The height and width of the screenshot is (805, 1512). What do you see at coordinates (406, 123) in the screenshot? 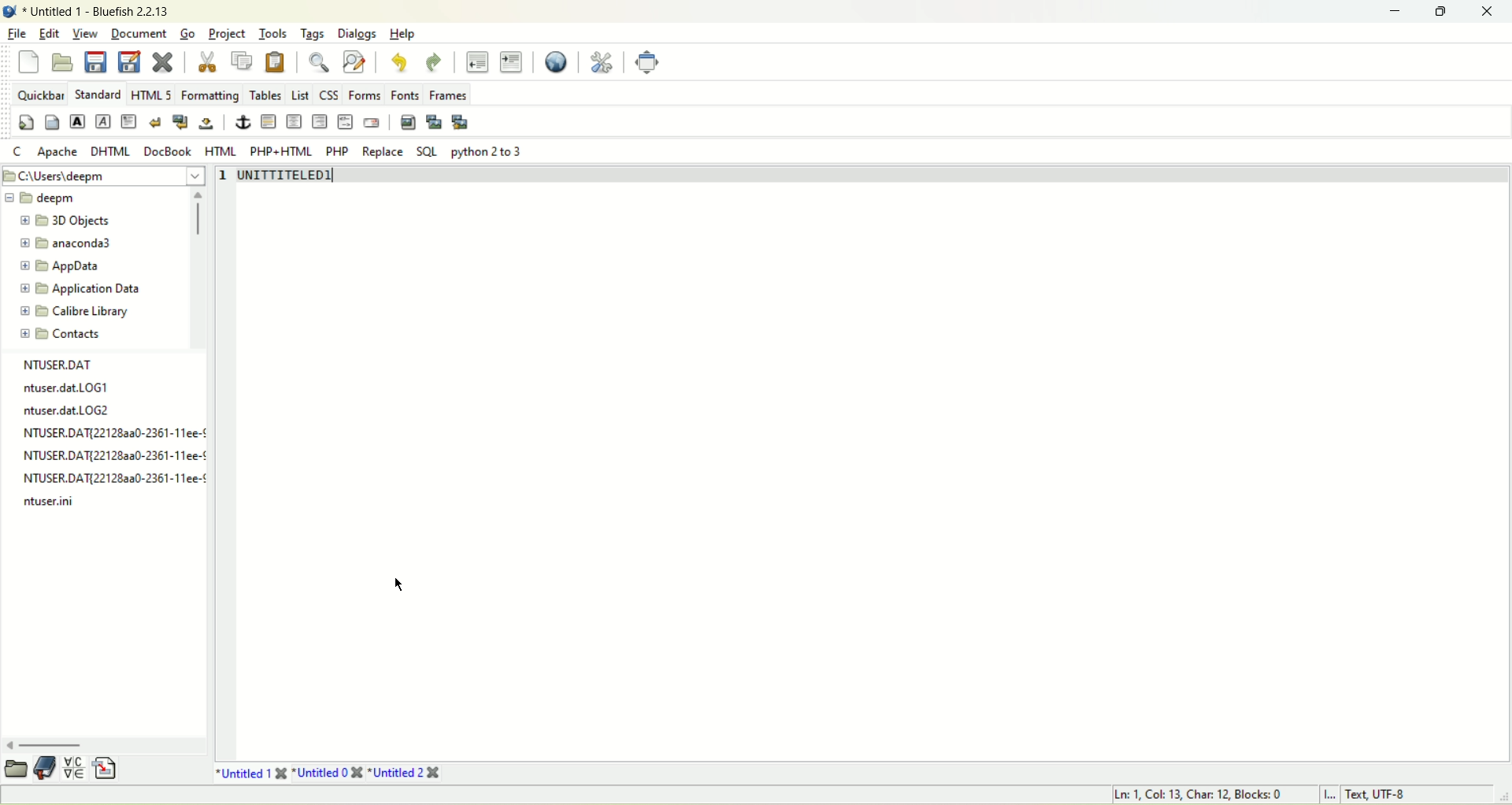
I see `insert image` at bounding box center [406, 123].